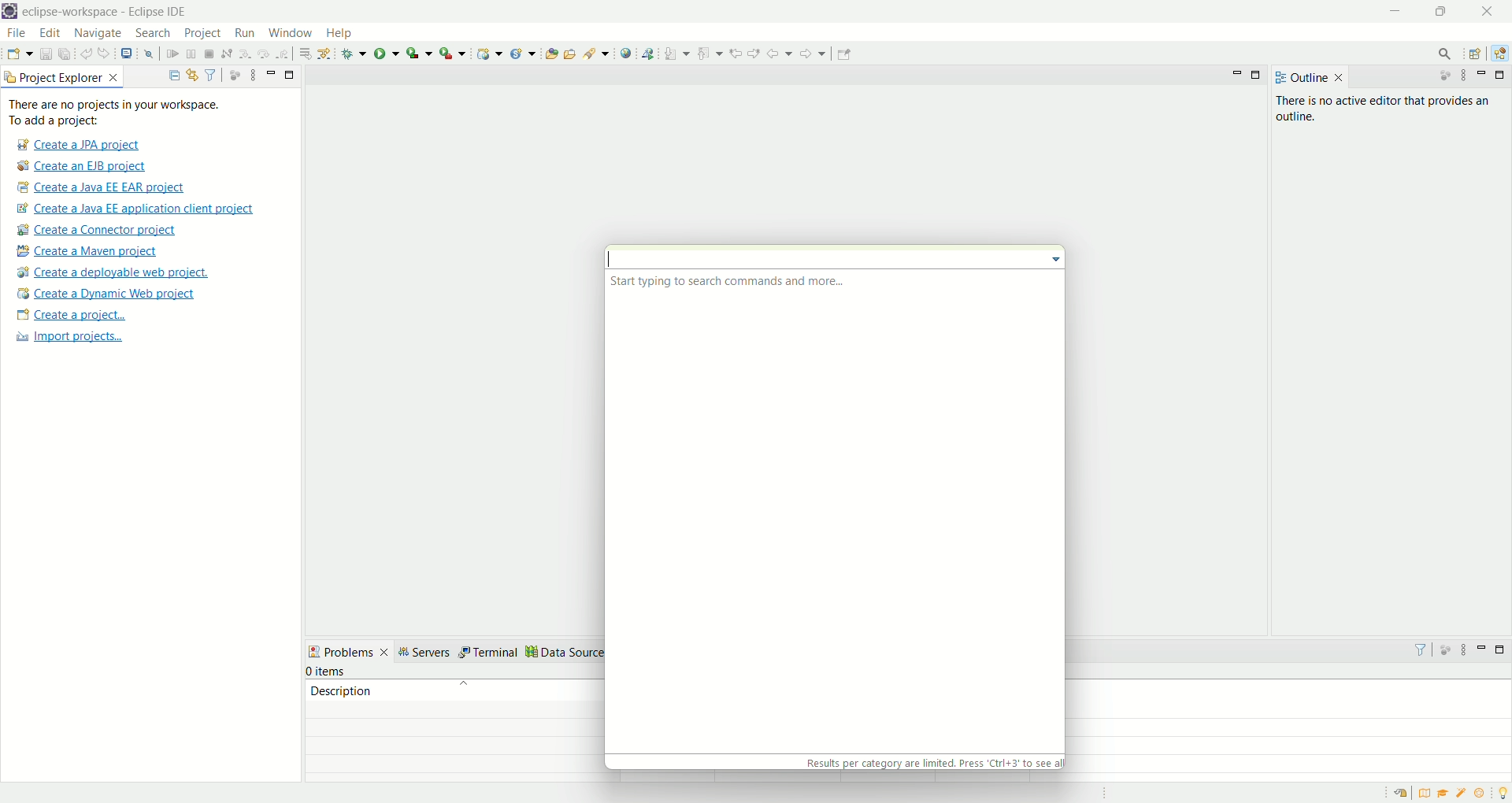 The image size is (1512, 803). What do you see at coordinates (1439, 11) in the screenshot?
I see `maximize` at bounding box center [1439, 11].